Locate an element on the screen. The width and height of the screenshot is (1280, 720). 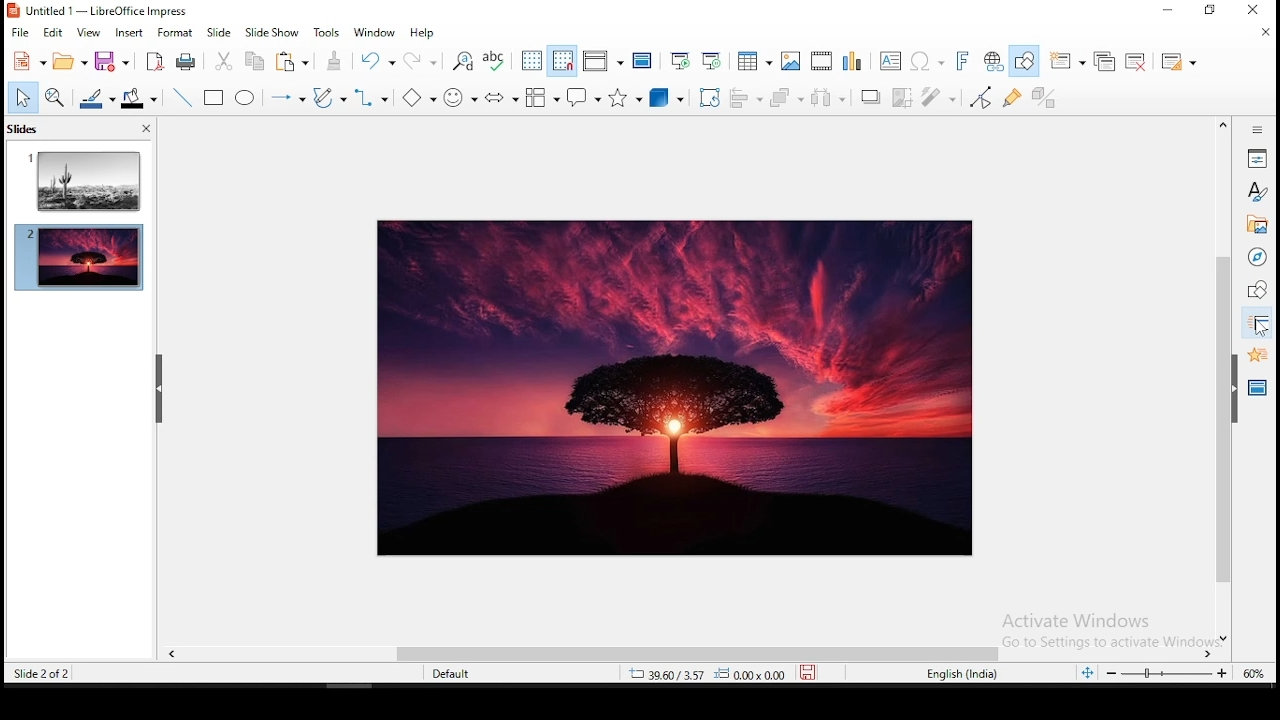
arrange is located at coordinates (790, 98).